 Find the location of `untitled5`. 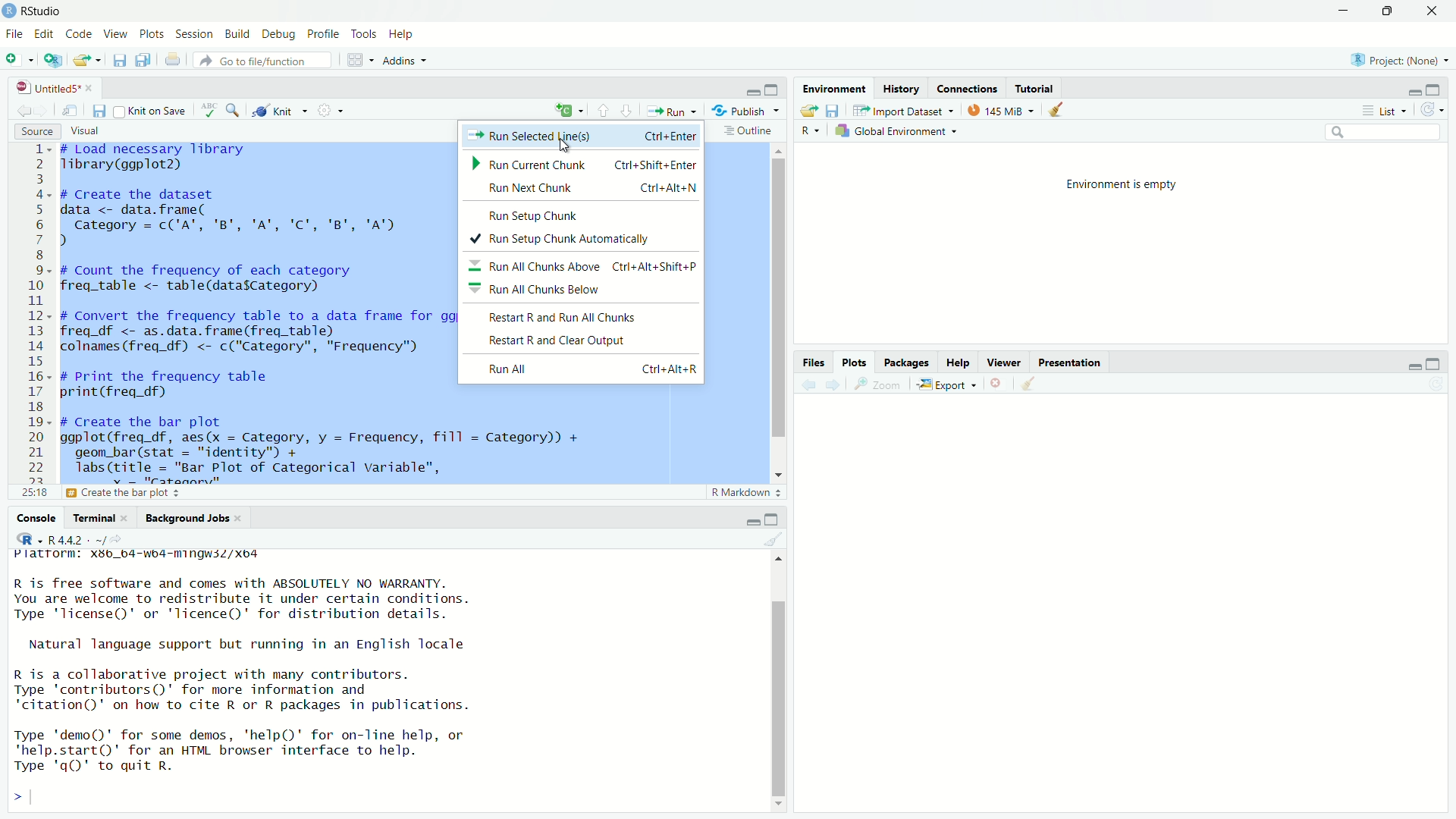

untitled5 is located at coordinates (60, 88).